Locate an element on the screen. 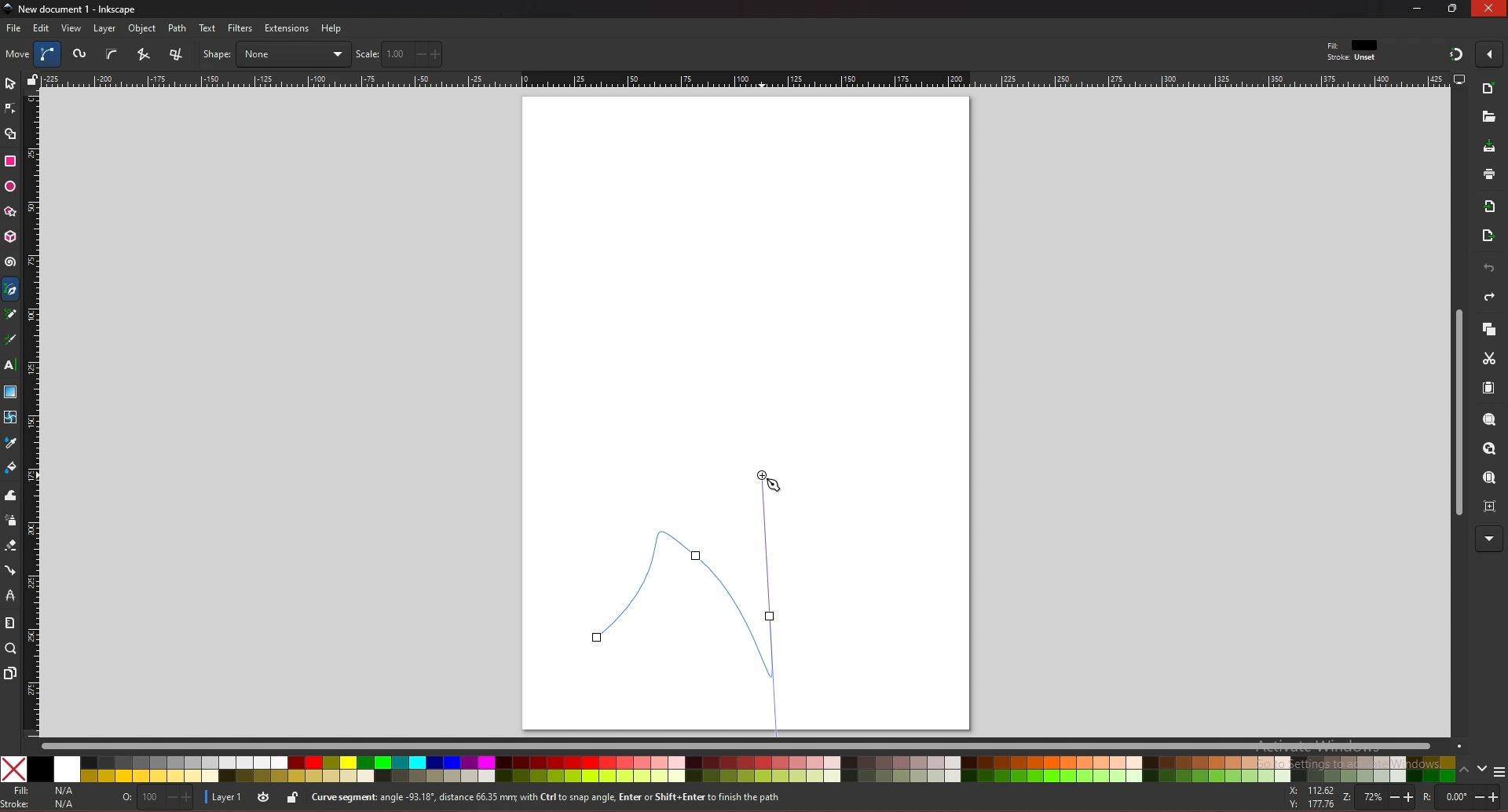  help is located at coordinates (332, 28).